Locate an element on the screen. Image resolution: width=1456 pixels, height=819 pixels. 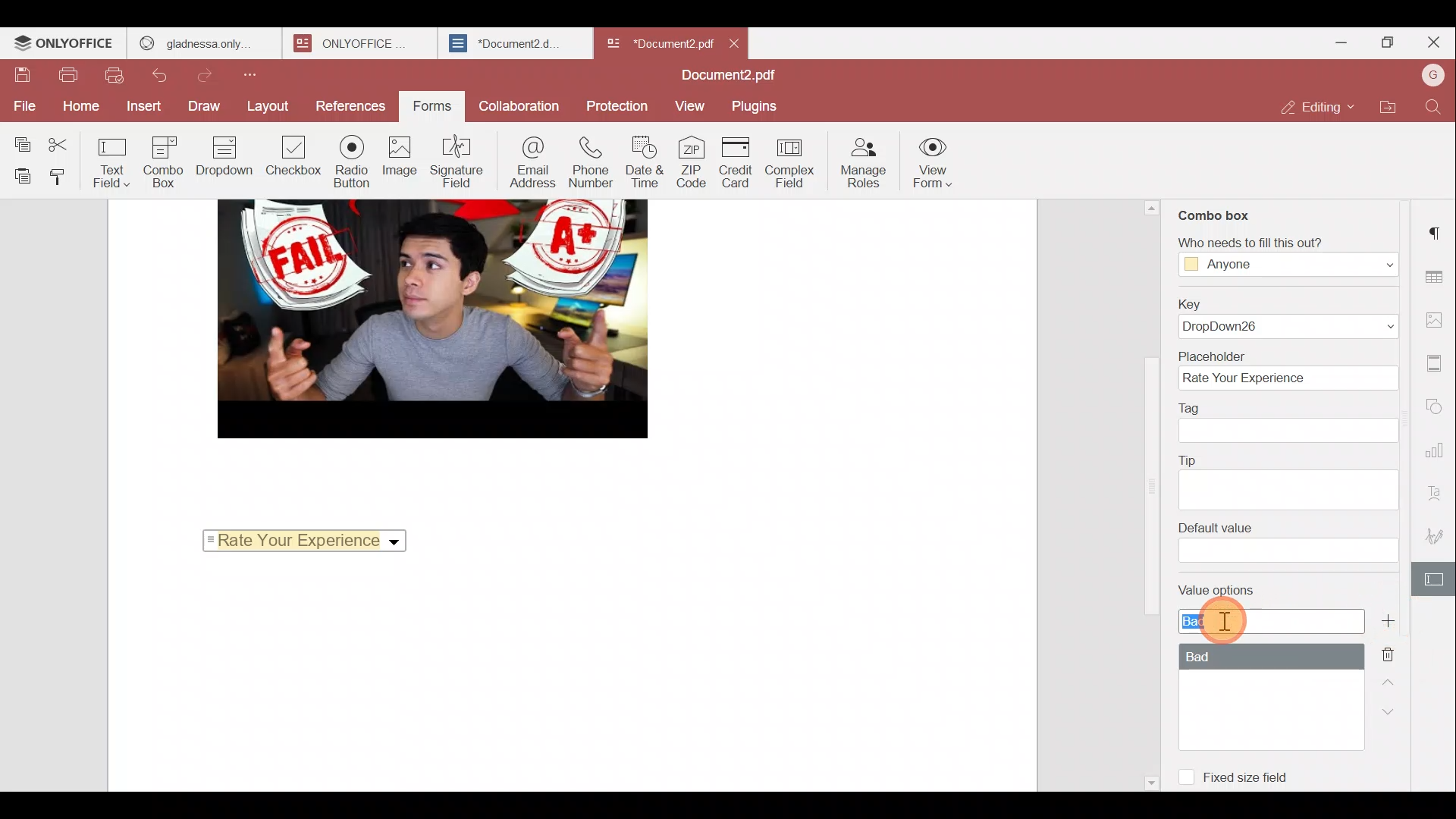
Paste is located at coordinates (20, 176).